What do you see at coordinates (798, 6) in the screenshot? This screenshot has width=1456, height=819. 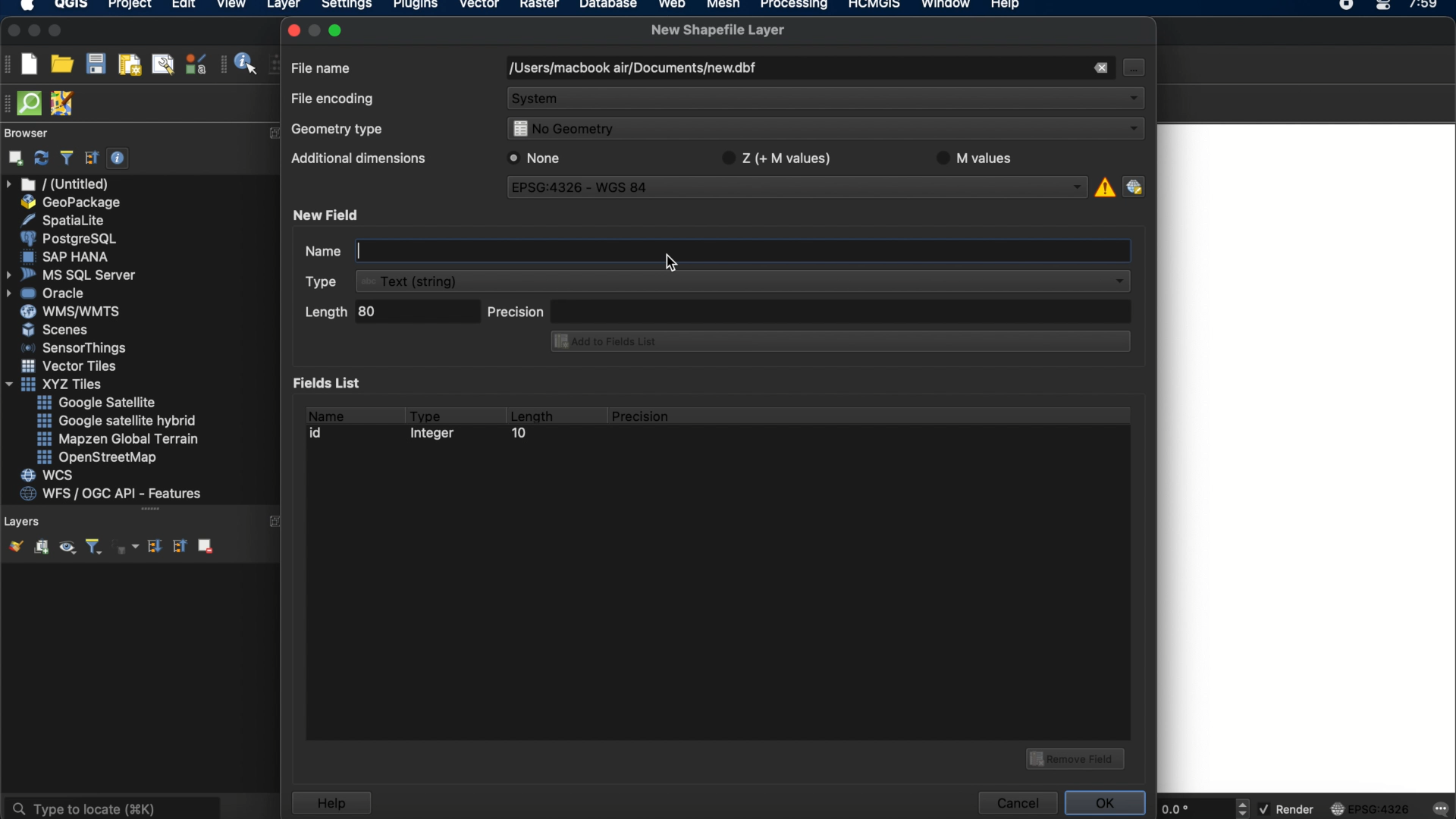 I see `processing` at bounding box center [798, 6].